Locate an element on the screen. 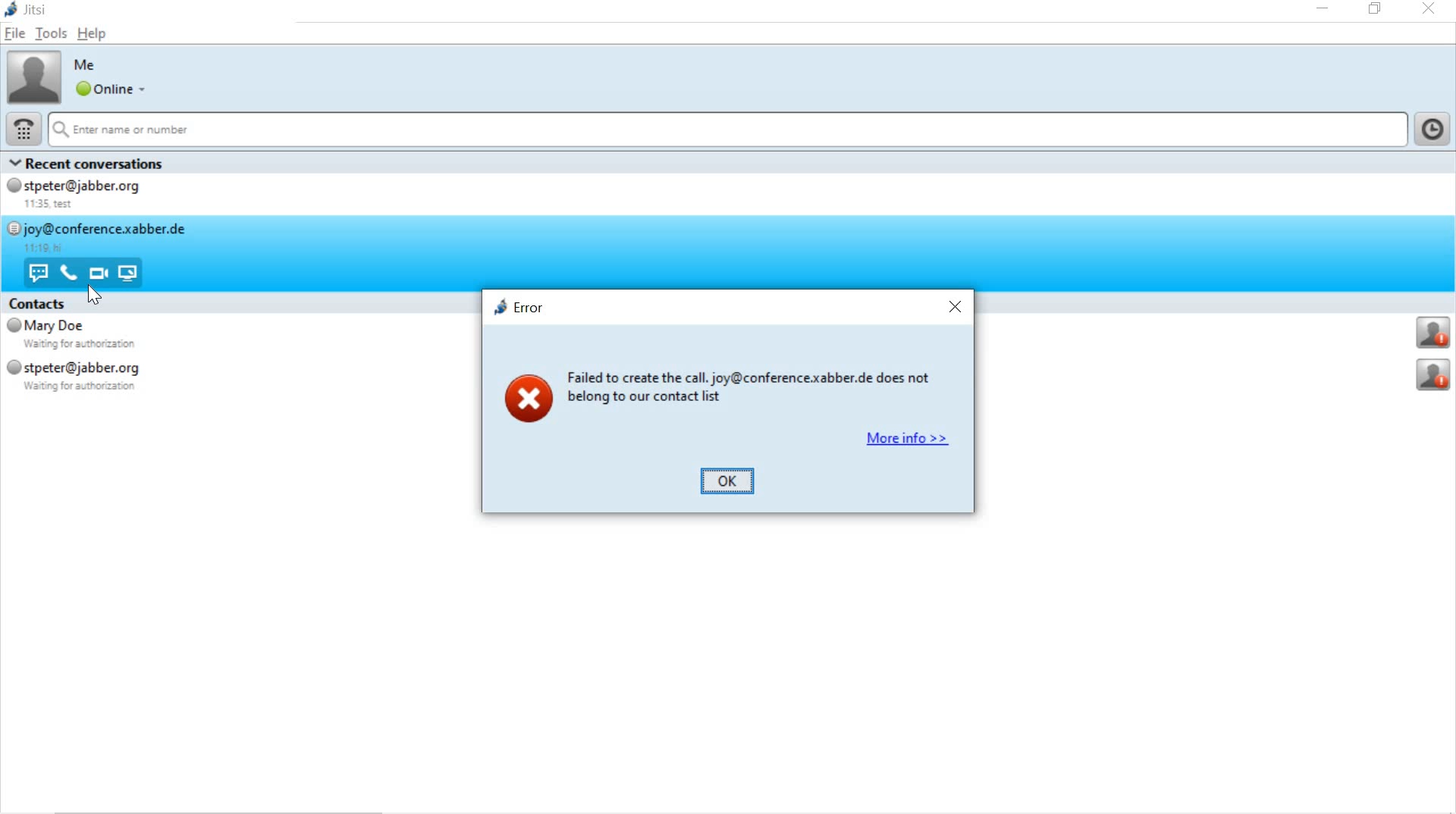 The image size is (1456, 814).  joy@conference.xabber.de 11:19 hi is located at coordinates (102, 236).